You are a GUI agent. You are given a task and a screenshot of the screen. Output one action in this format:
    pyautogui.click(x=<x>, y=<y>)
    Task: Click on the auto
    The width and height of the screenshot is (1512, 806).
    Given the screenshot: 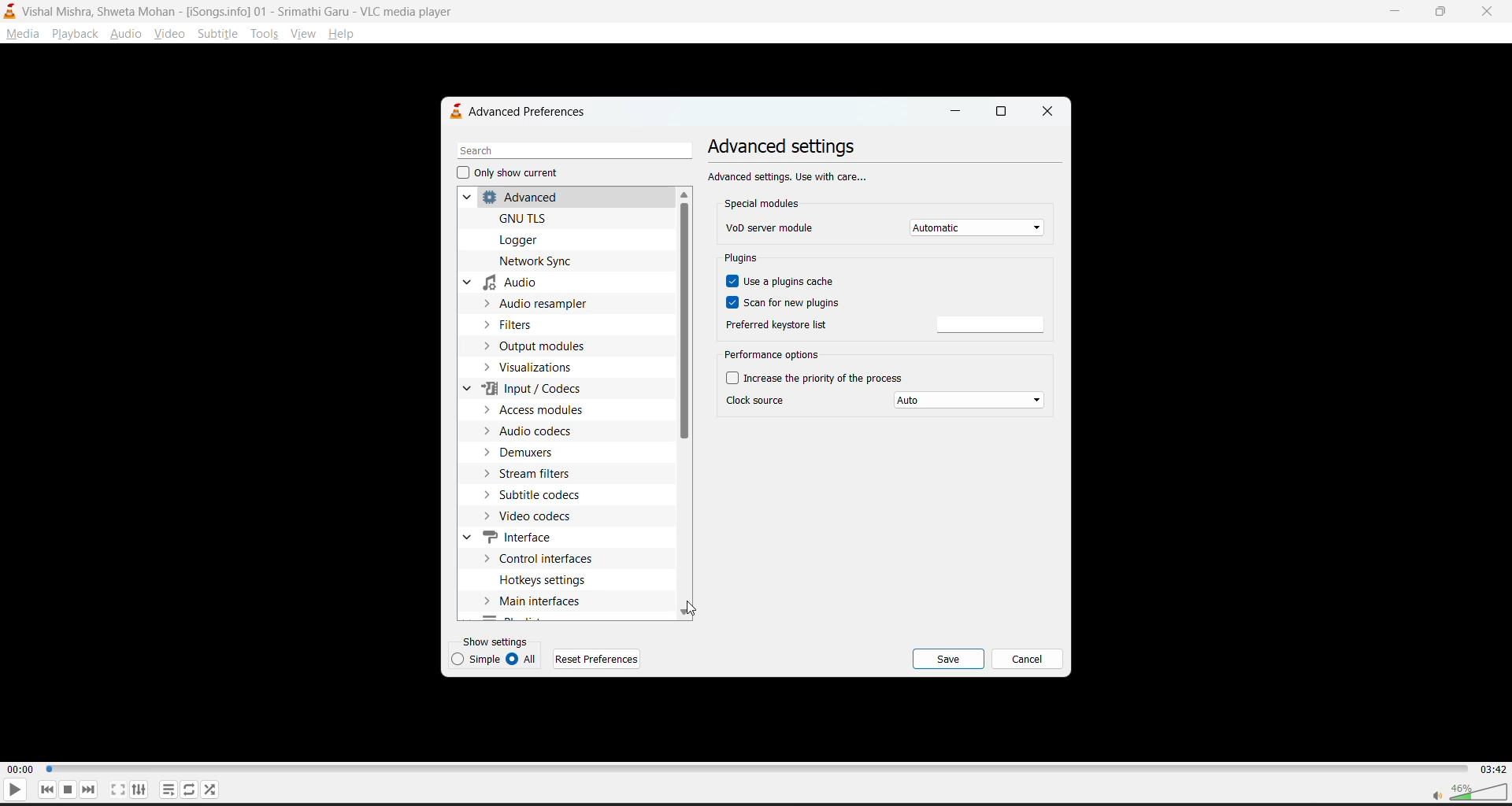 What is the action you would take?
    pyautogui.click(x=970, y=403)
    